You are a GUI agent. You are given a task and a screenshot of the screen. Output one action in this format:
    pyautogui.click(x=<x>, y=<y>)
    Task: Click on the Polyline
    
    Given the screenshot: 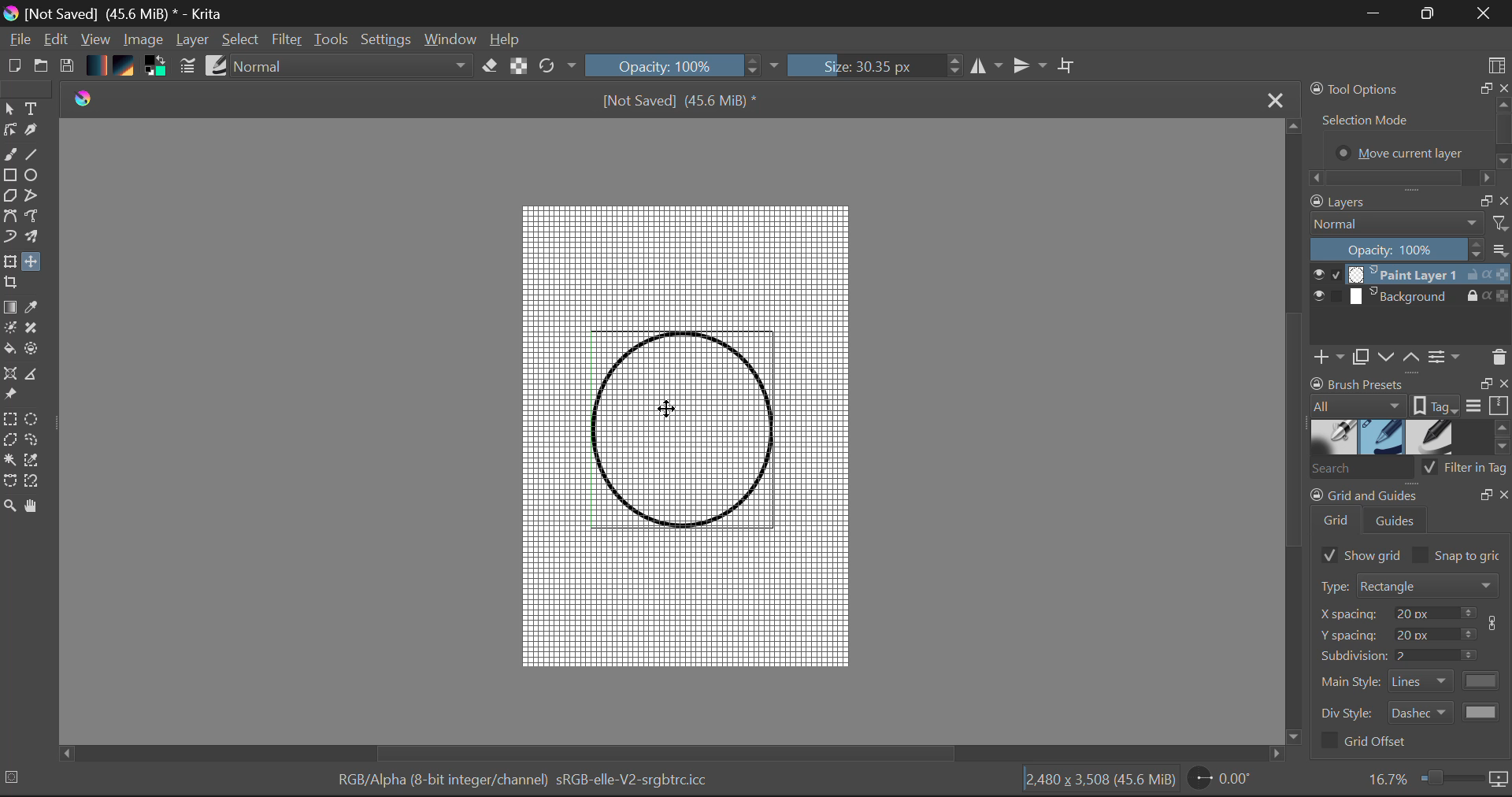 What is the action you would take?
    pyautogui.click(x=32, y=194)
    